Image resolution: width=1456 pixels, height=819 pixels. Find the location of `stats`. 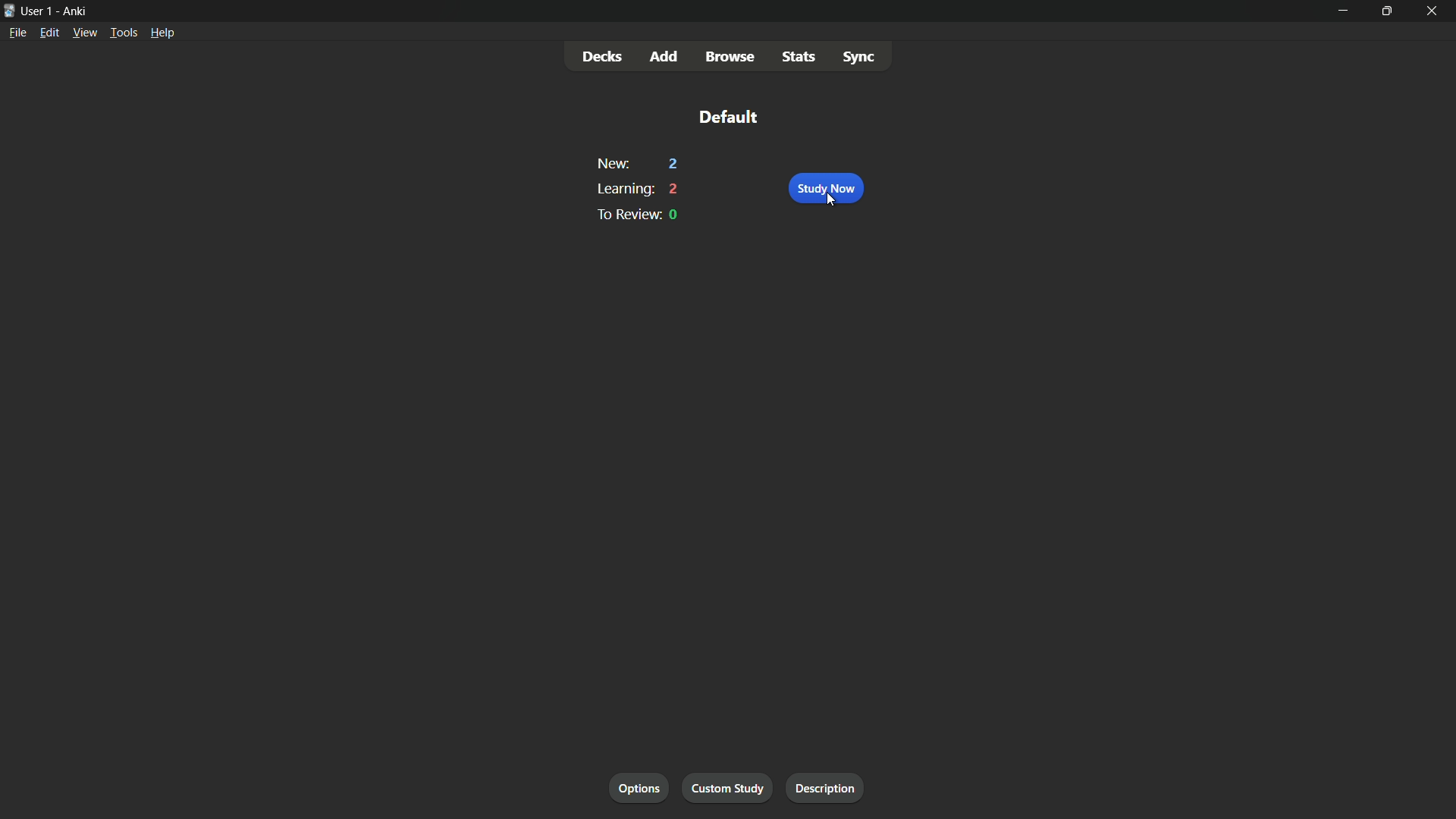

stats is located at coordinates (798, 57).